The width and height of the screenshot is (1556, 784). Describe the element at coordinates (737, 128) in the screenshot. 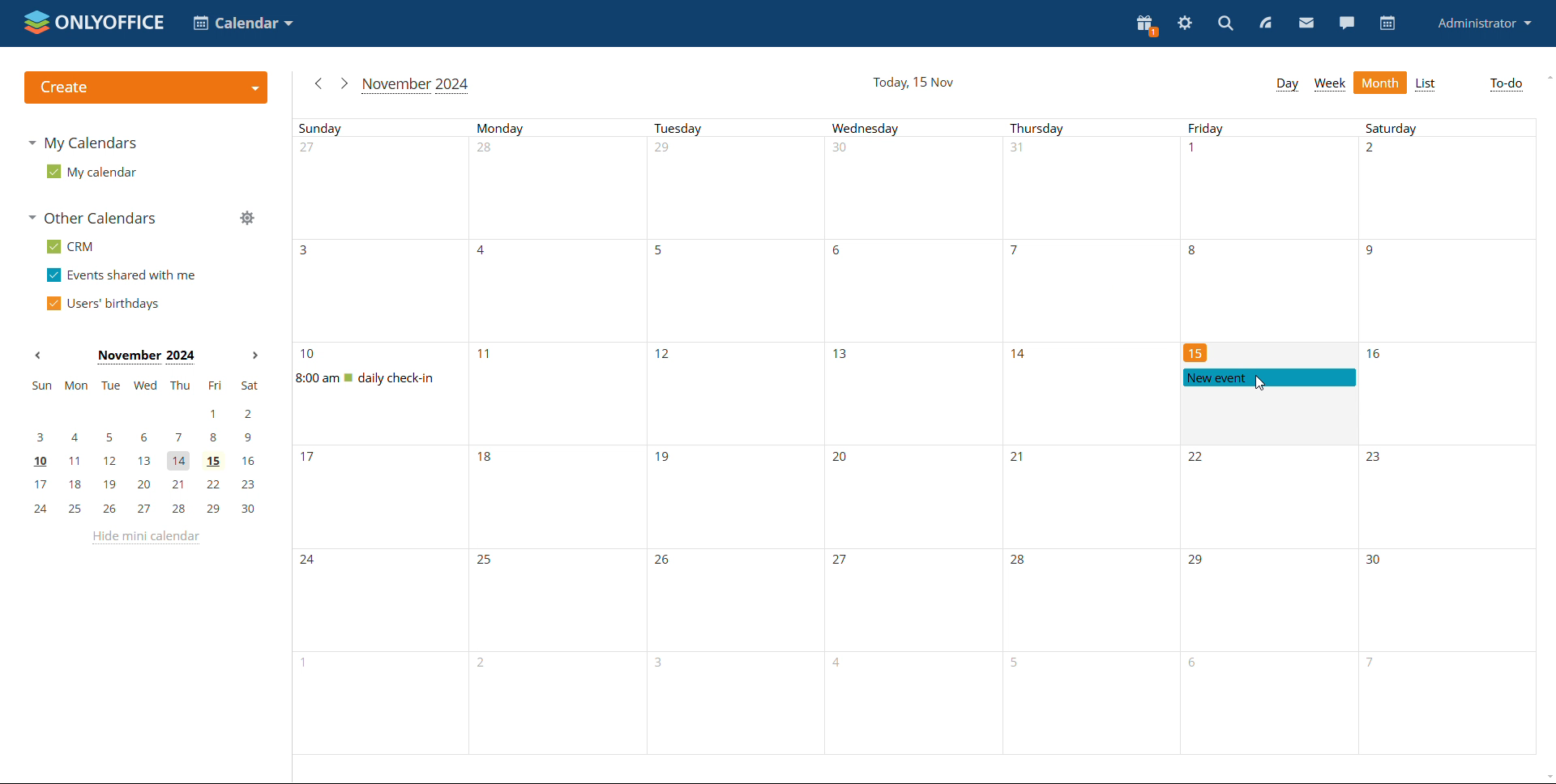

I see `individual day` at that location.